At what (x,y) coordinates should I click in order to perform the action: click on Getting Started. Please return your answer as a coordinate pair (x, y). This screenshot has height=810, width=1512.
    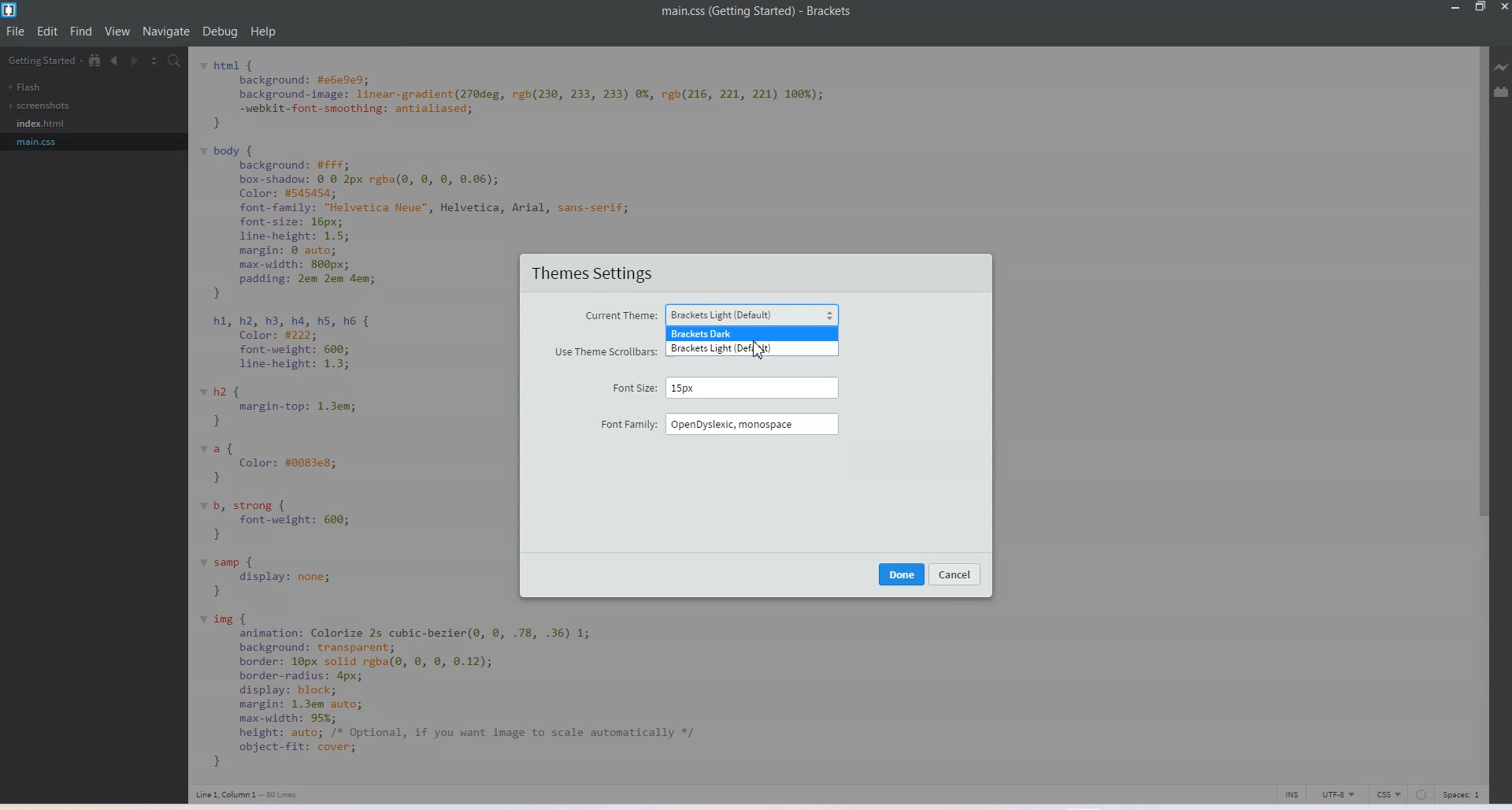
    Looking at the image, I should click on (46, 61).